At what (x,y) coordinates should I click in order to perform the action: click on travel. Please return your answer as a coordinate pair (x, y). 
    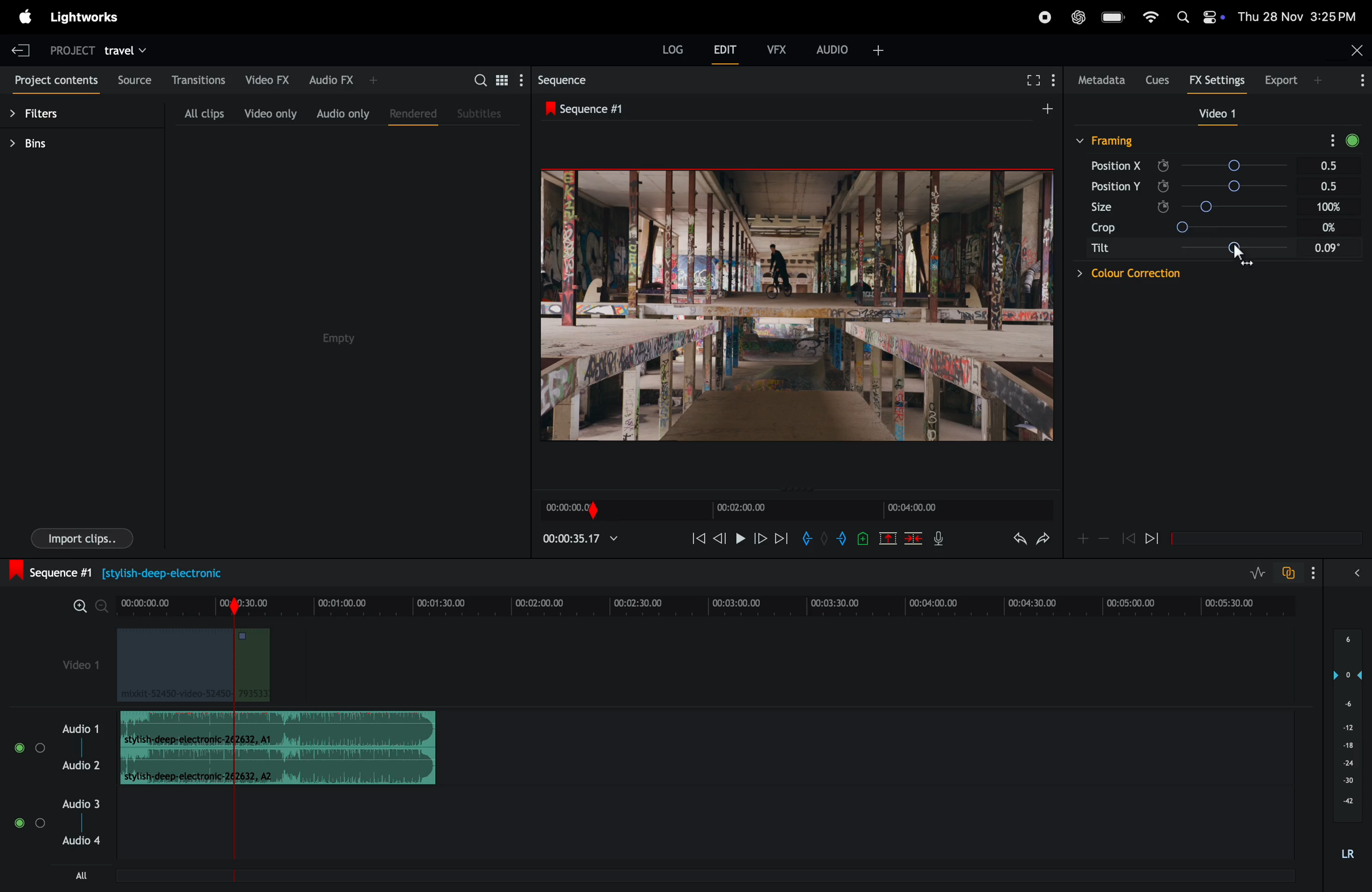
    Looking at the image, I should click on (129, 48).